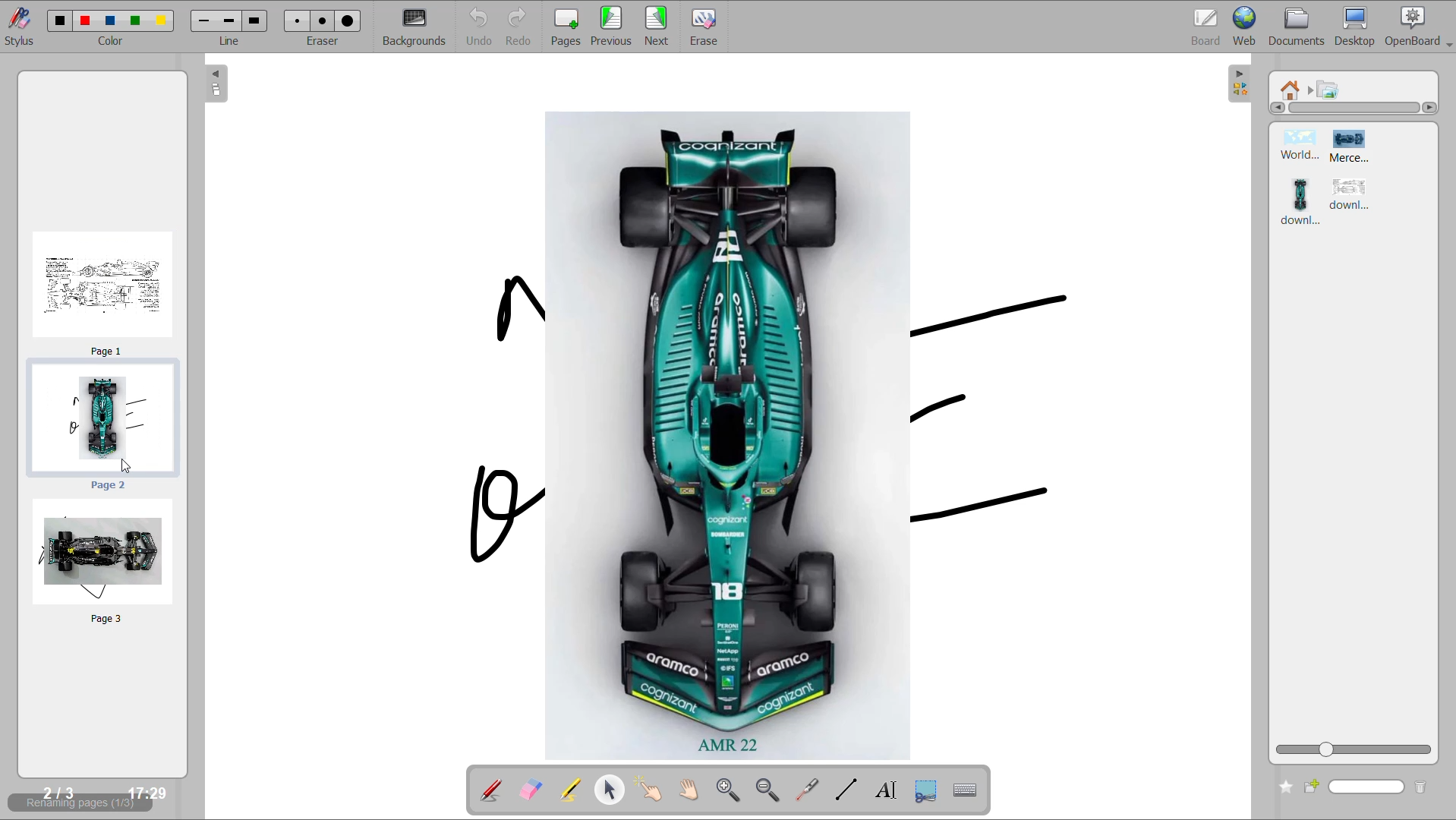 The height and width of the screenshot is (820, 1456). Describe the element at coordinates (106, 289) in the screenshot. I see `rearranged page 1` at that location.